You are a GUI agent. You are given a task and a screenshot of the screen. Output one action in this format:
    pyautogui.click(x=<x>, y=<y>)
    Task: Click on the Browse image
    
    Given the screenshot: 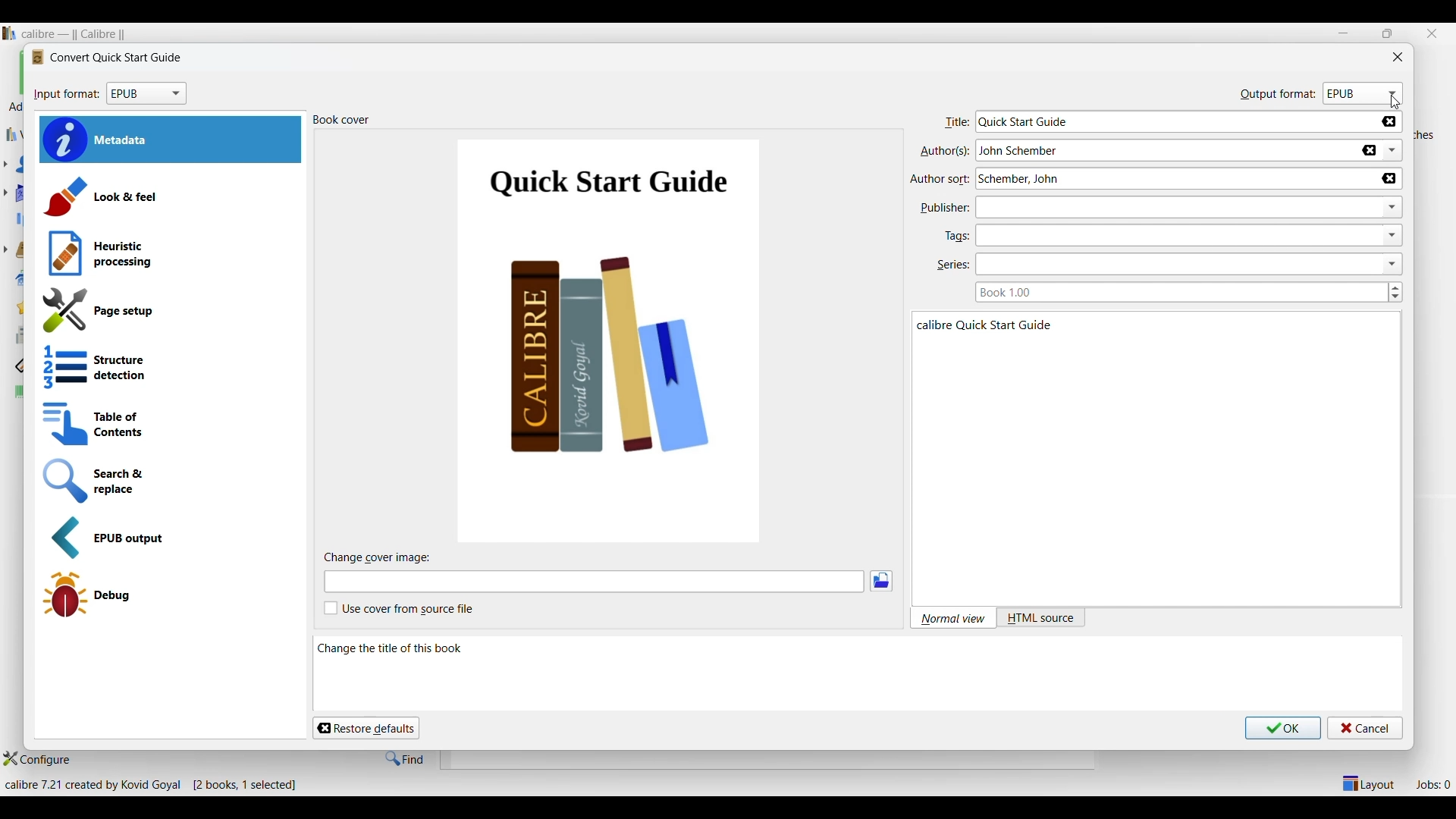 What is the action you would take?
    pyautogui.click(x=881, y=581)
    